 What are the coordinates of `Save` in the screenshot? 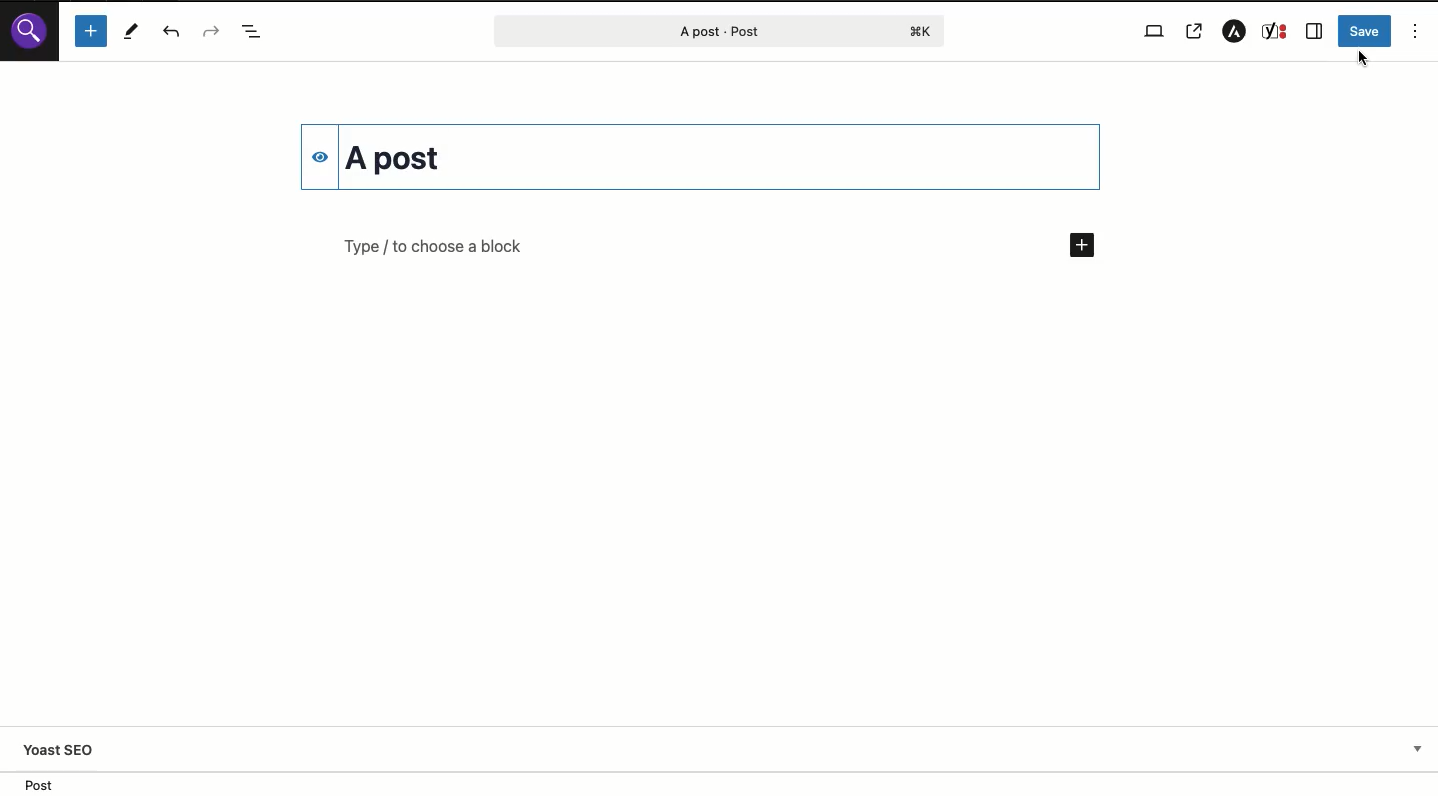 It's located at (1365, 30).